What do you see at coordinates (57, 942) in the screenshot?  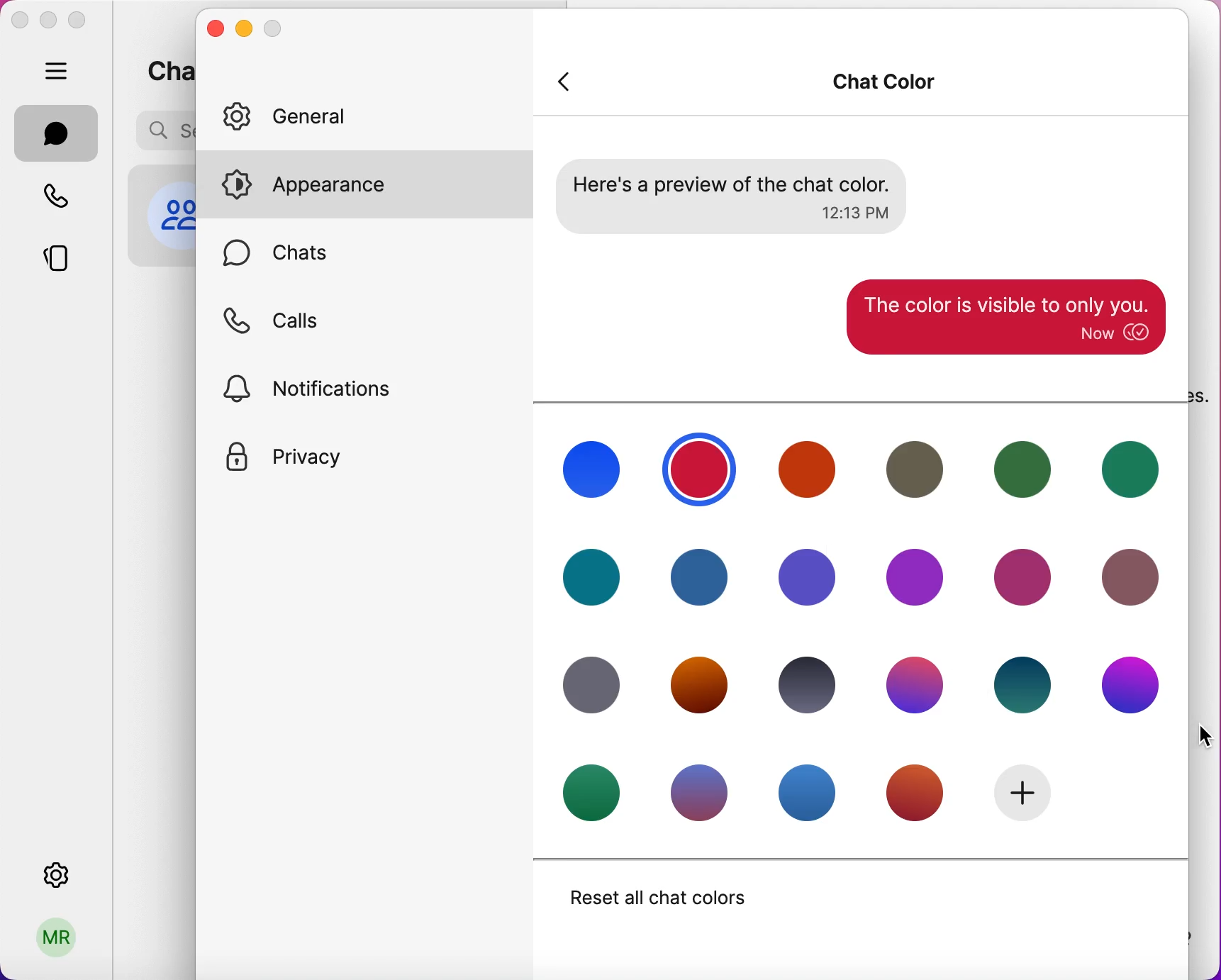 I see `user` at bounding box center [57, 942].